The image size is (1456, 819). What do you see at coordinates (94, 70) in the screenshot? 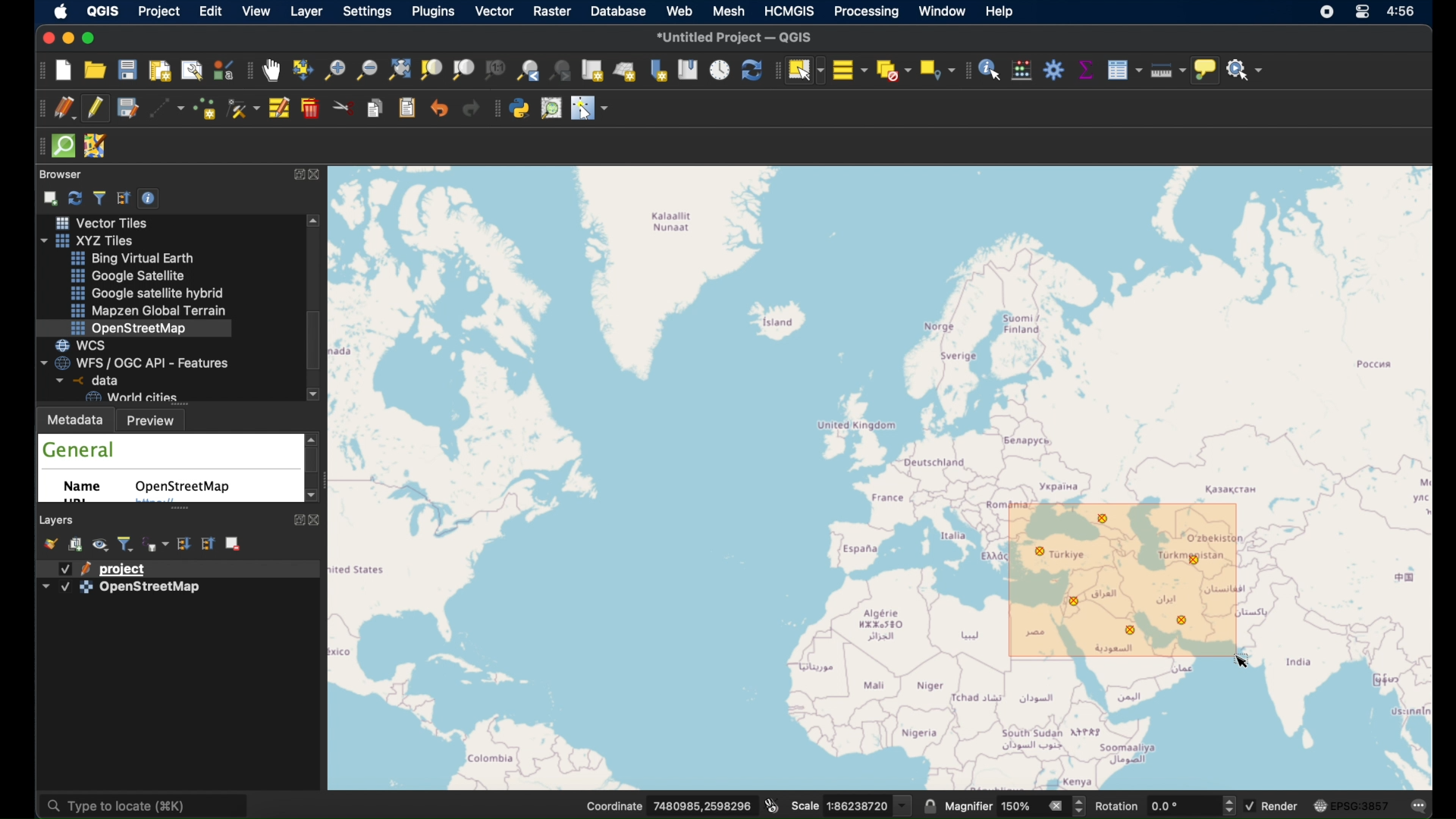
I see `open project` at bounding box center [94, 70].